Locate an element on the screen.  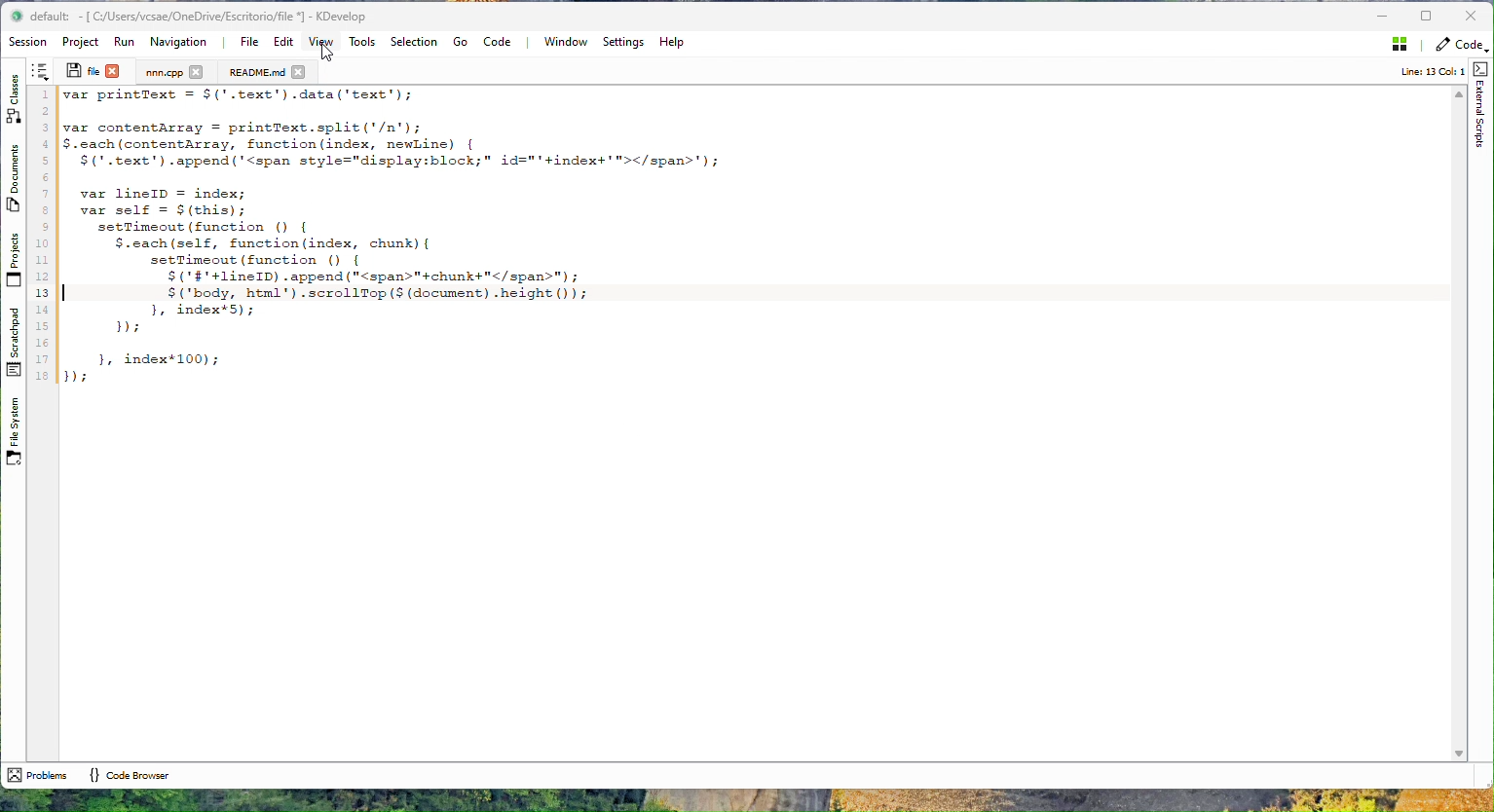
Window is located at coordinates (564, 42).